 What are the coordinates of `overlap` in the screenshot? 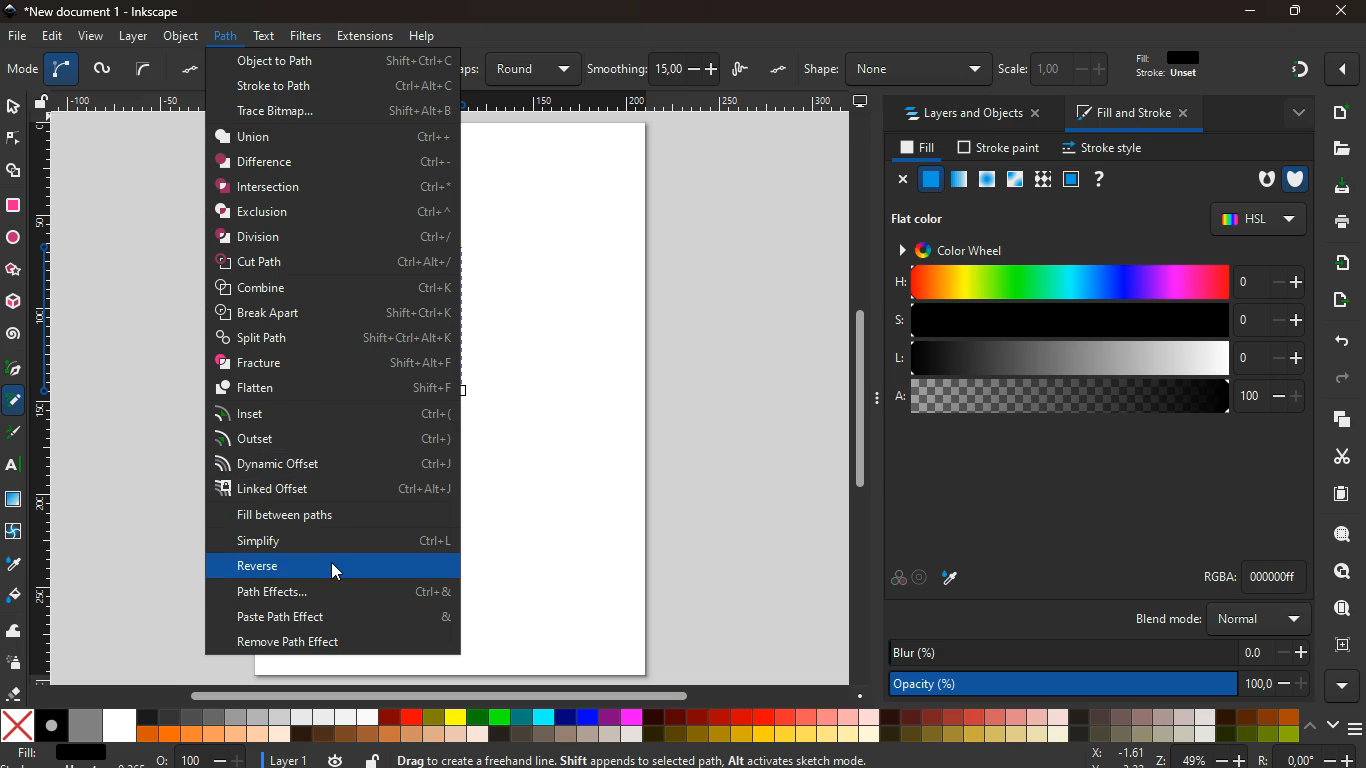 It's located at (898, 579).